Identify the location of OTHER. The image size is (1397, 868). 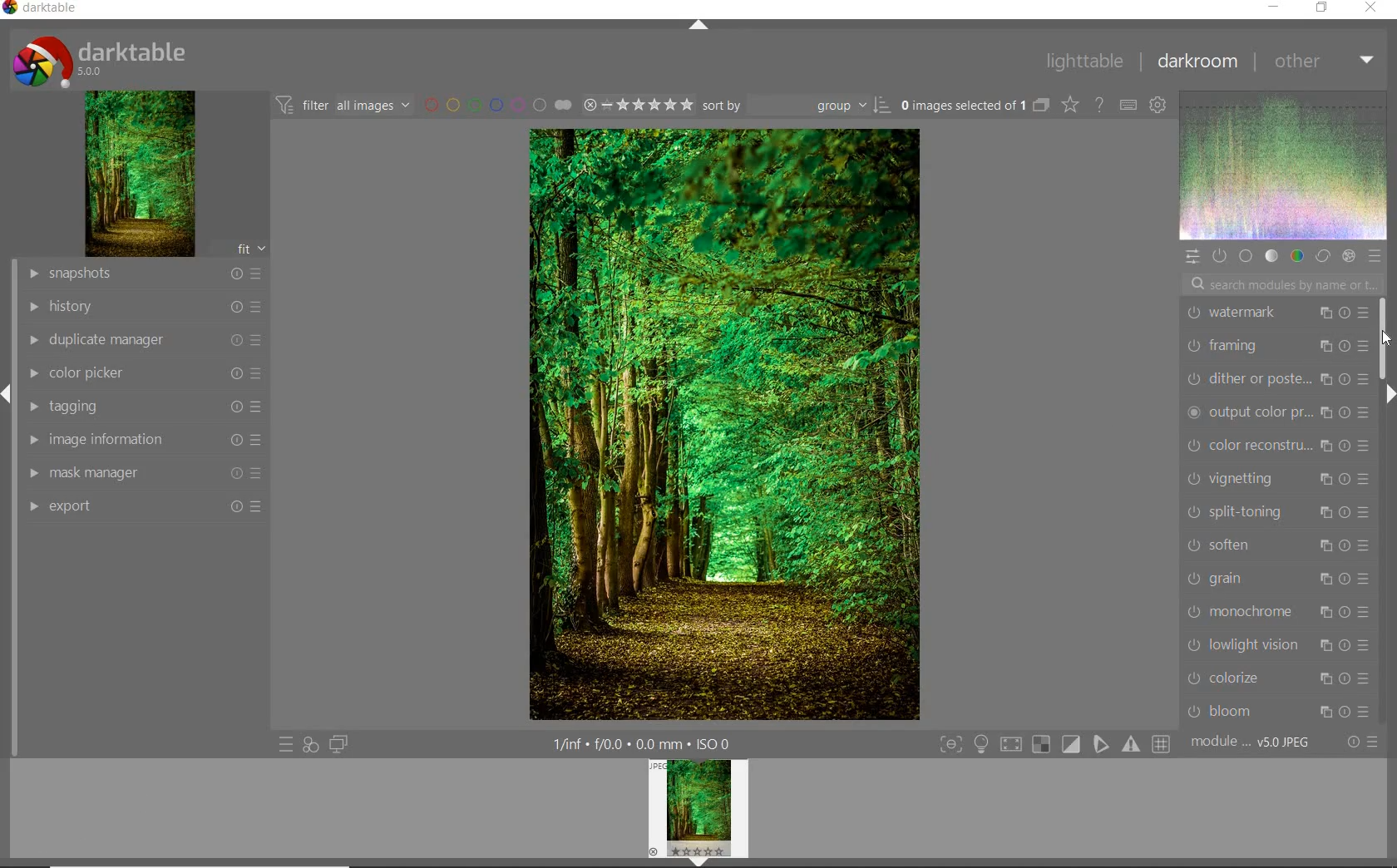
(1325, 61).